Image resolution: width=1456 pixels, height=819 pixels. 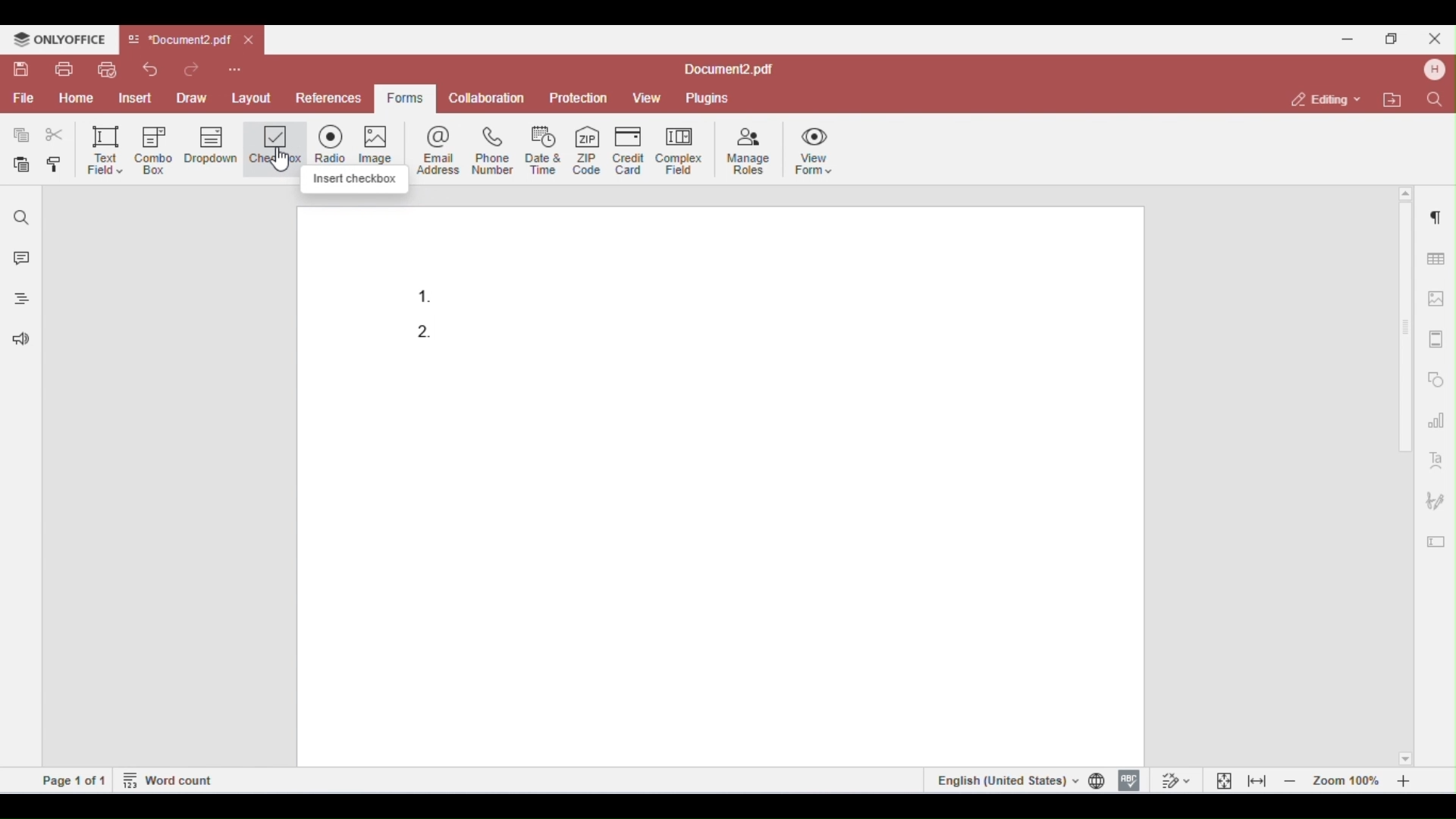 I want to click on date and time, so click(x=544, y=149).